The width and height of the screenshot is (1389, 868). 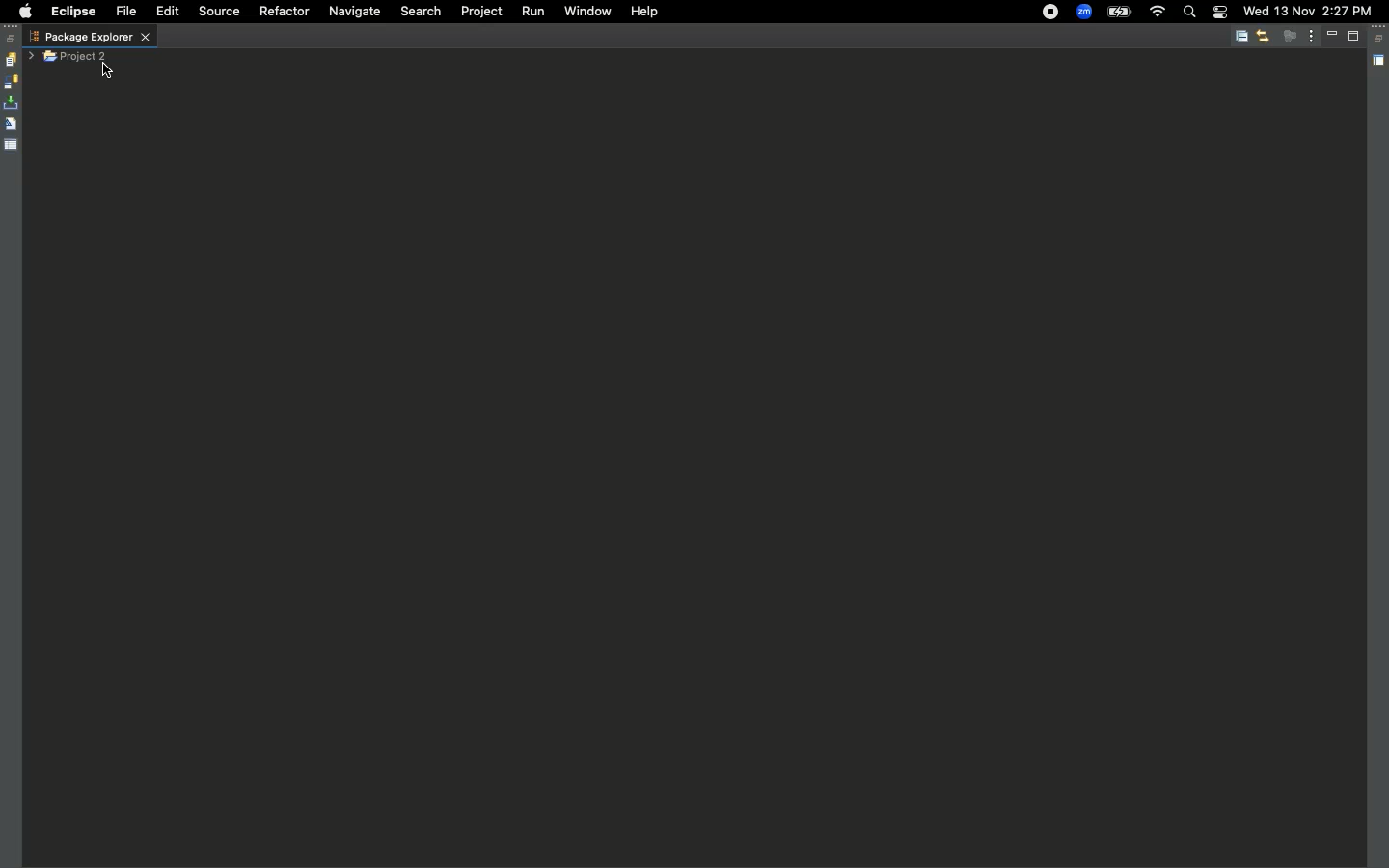 What do you see at coordinates (421, 12) in the screenshot?
I see `Search` at bounding box center [421, 12].